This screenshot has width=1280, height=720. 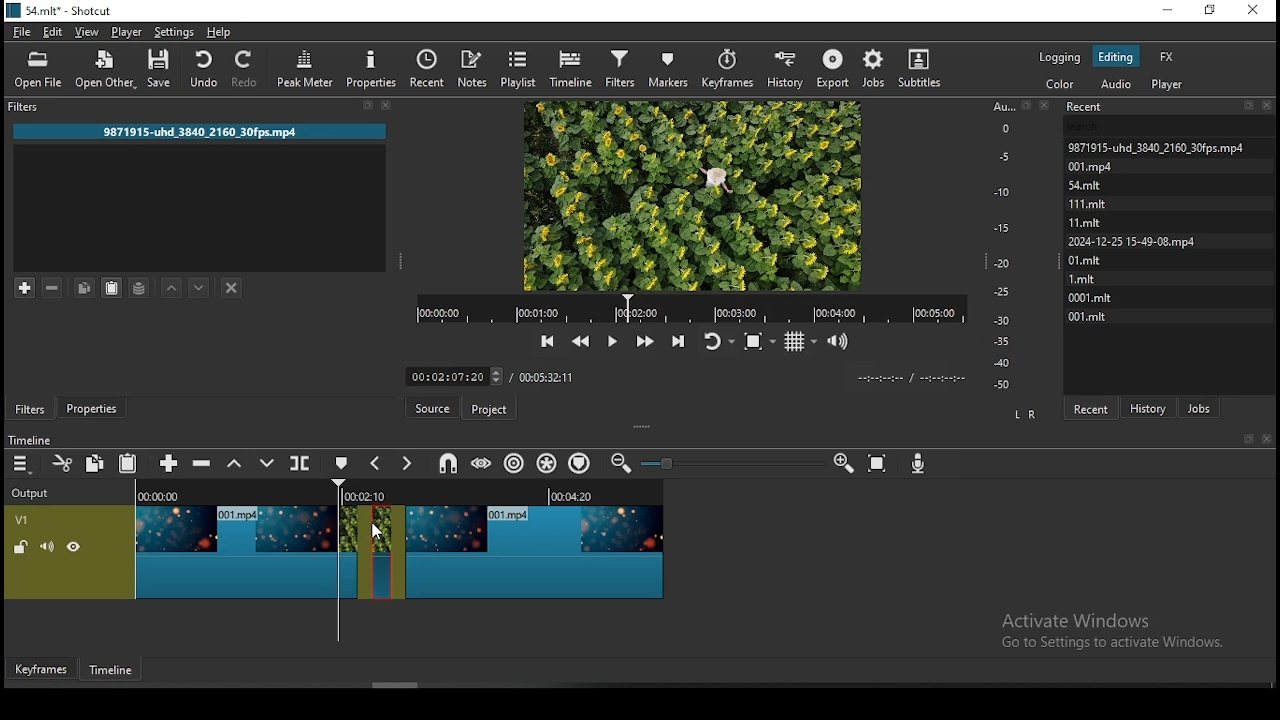 I want to click on V1, so click(x=35, y=519).